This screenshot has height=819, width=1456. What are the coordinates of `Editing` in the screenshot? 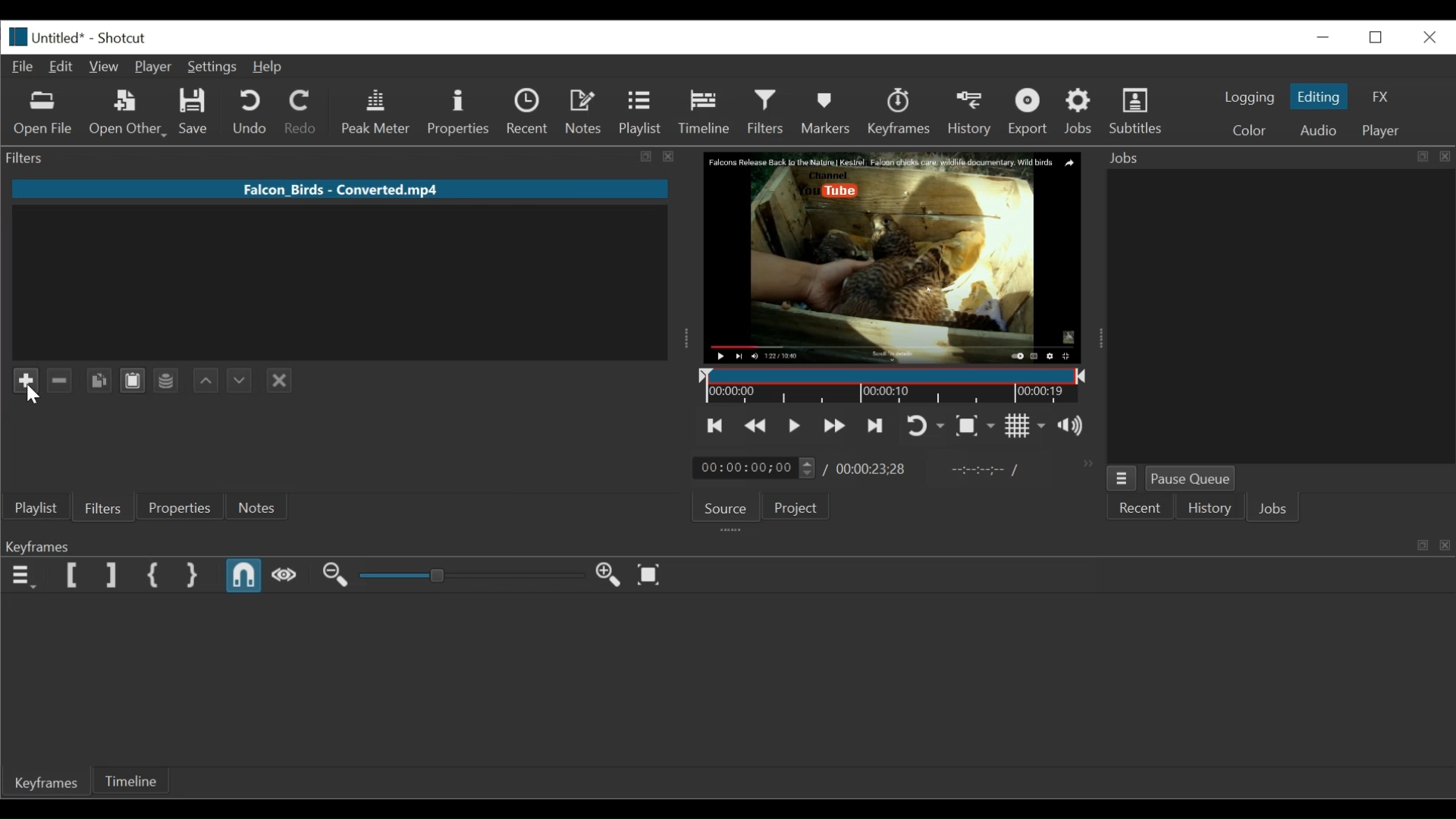 It's located at (1320, 96).